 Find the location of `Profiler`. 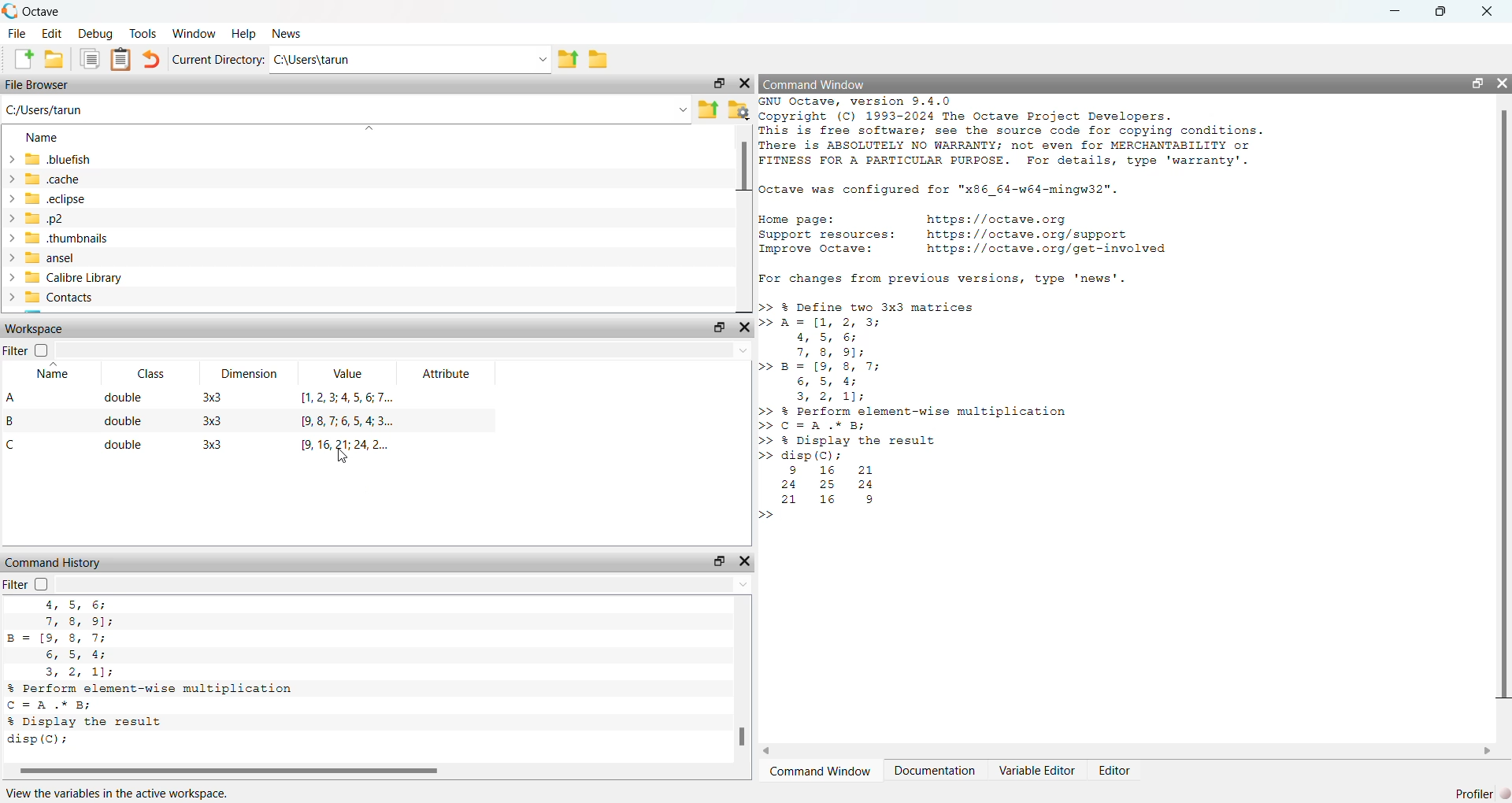

Profiler is located at coordinates (1477, 794).